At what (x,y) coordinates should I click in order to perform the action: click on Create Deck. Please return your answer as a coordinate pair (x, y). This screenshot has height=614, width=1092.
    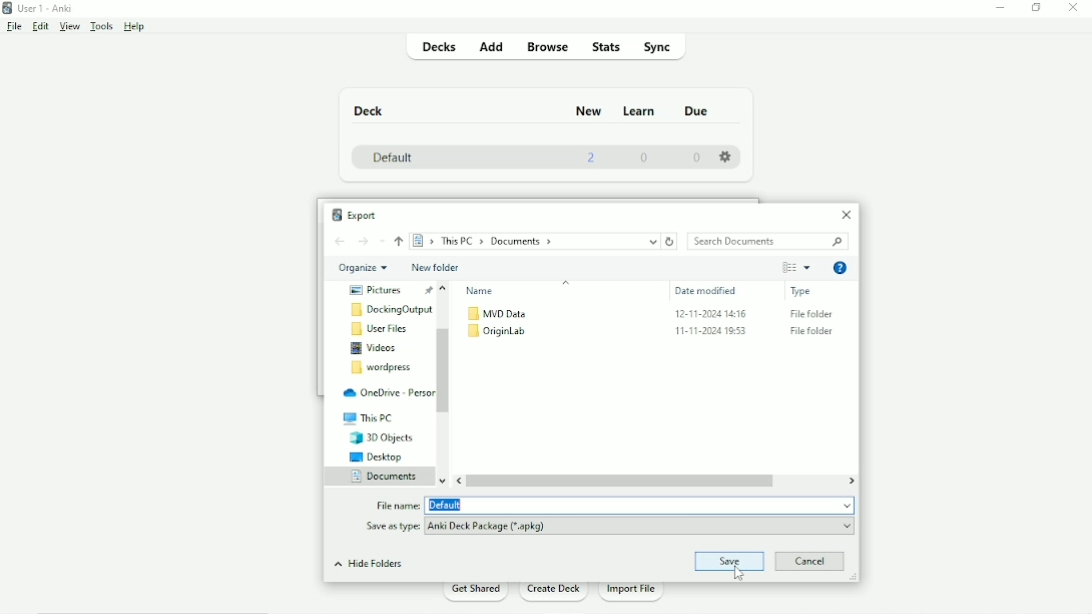
    Looking at the image, I should click on (553, 593).